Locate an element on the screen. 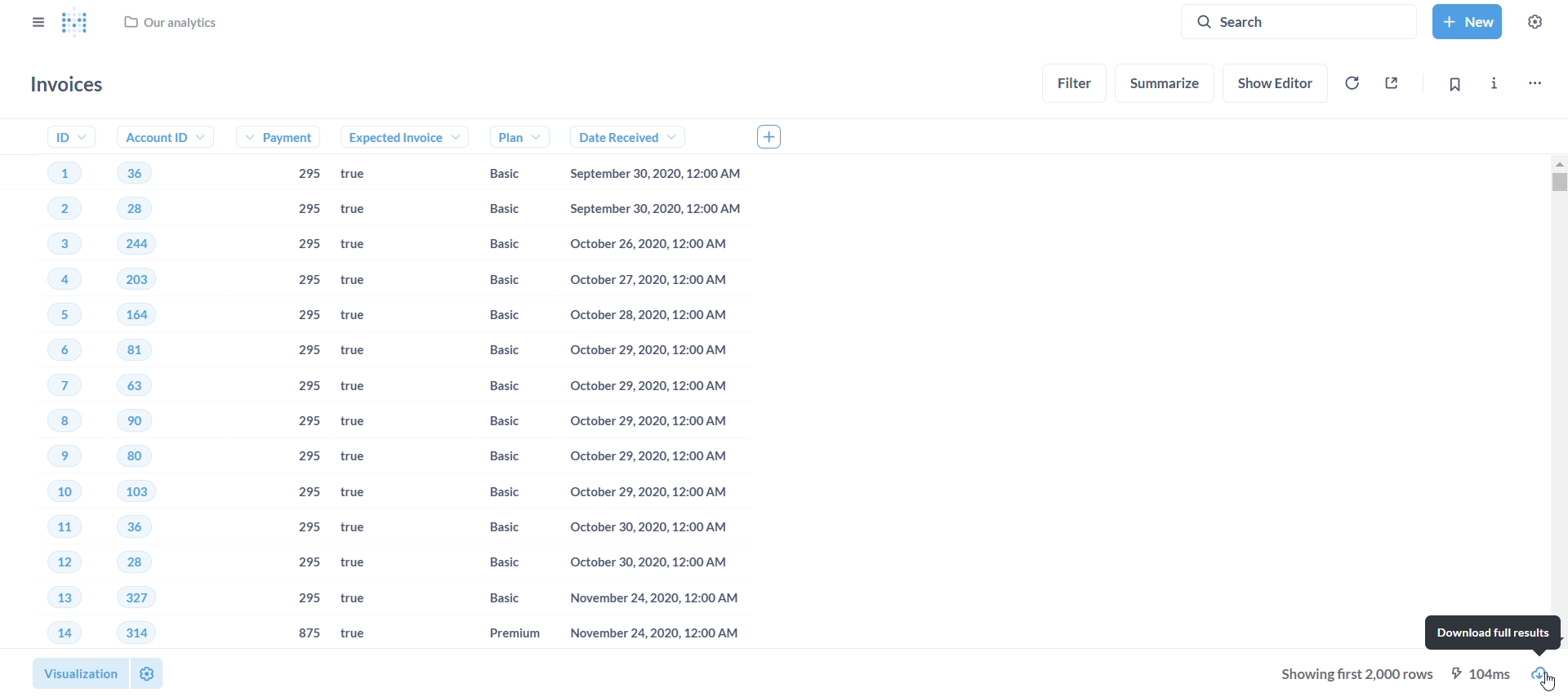 The height and width of the screenshot is (697, 1568). true is located at coordinates (361, 245).